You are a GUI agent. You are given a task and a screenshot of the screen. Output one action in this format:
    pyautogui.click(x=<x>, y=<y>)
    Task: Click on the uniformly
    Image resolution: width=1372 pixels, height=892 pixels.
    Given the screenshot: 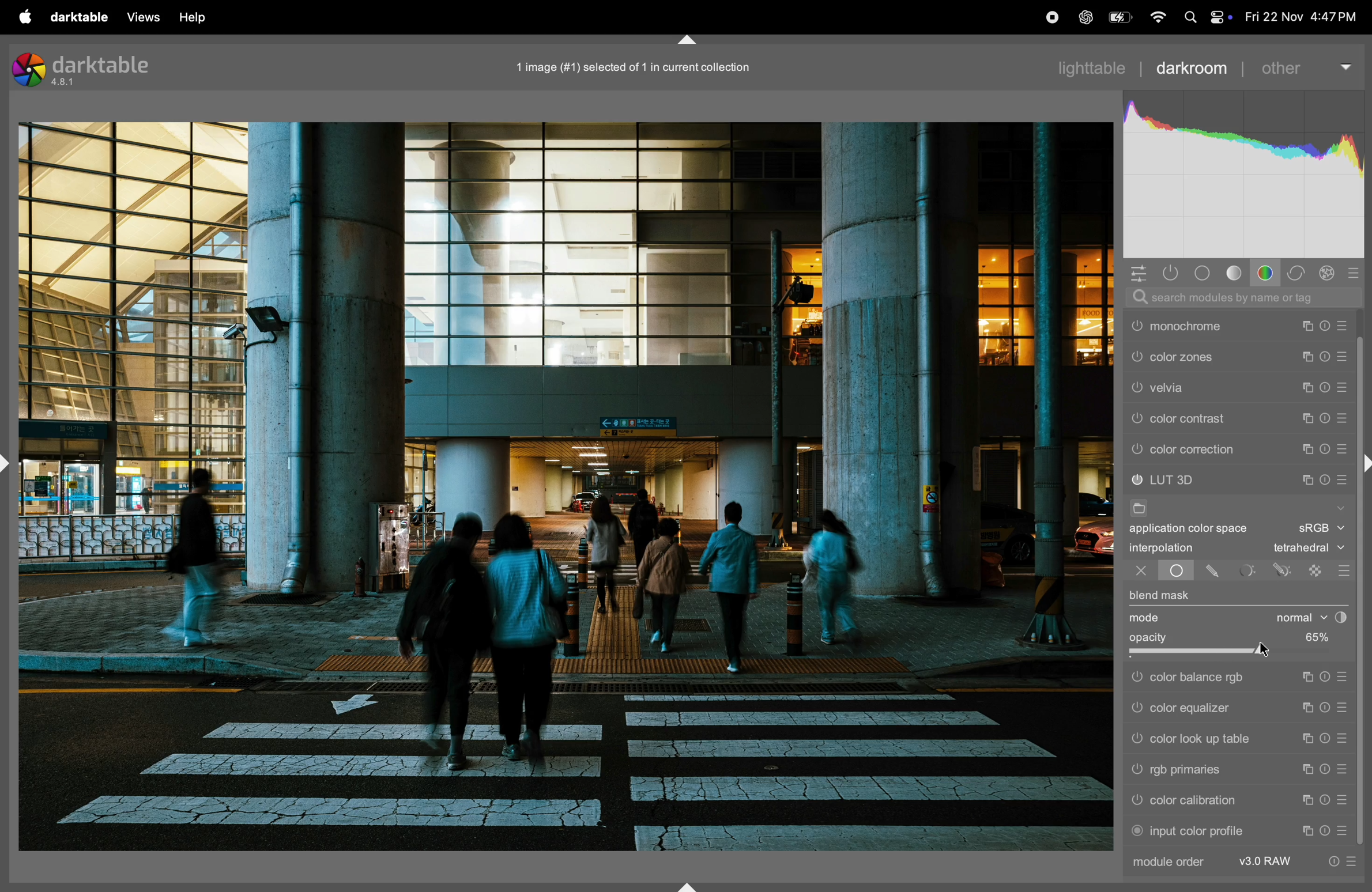 What is the action you would take?
    pyautogui.click(x=1177, y=572)
    